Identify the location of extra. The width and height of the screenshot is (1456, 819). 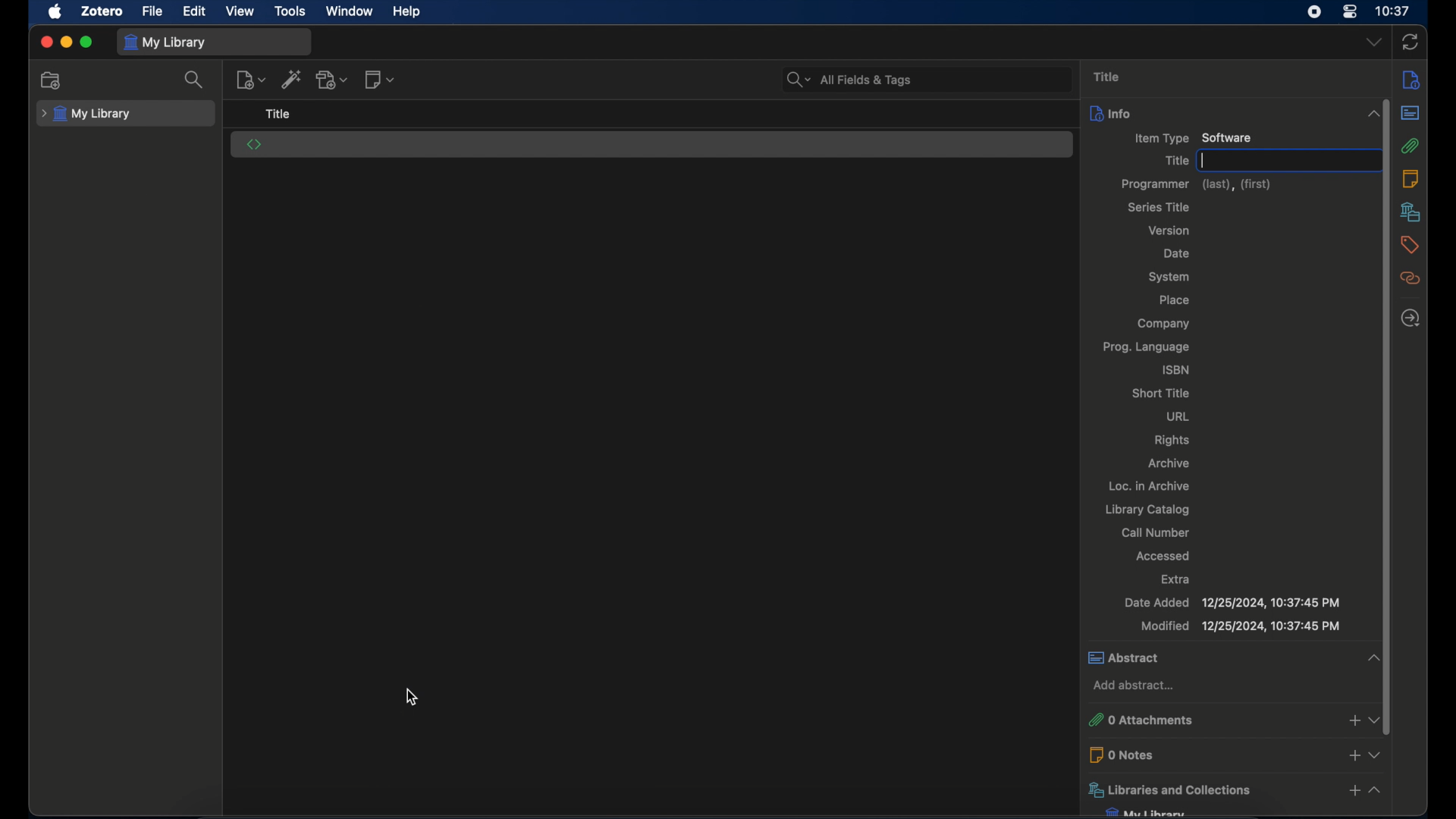
(1178, 579).